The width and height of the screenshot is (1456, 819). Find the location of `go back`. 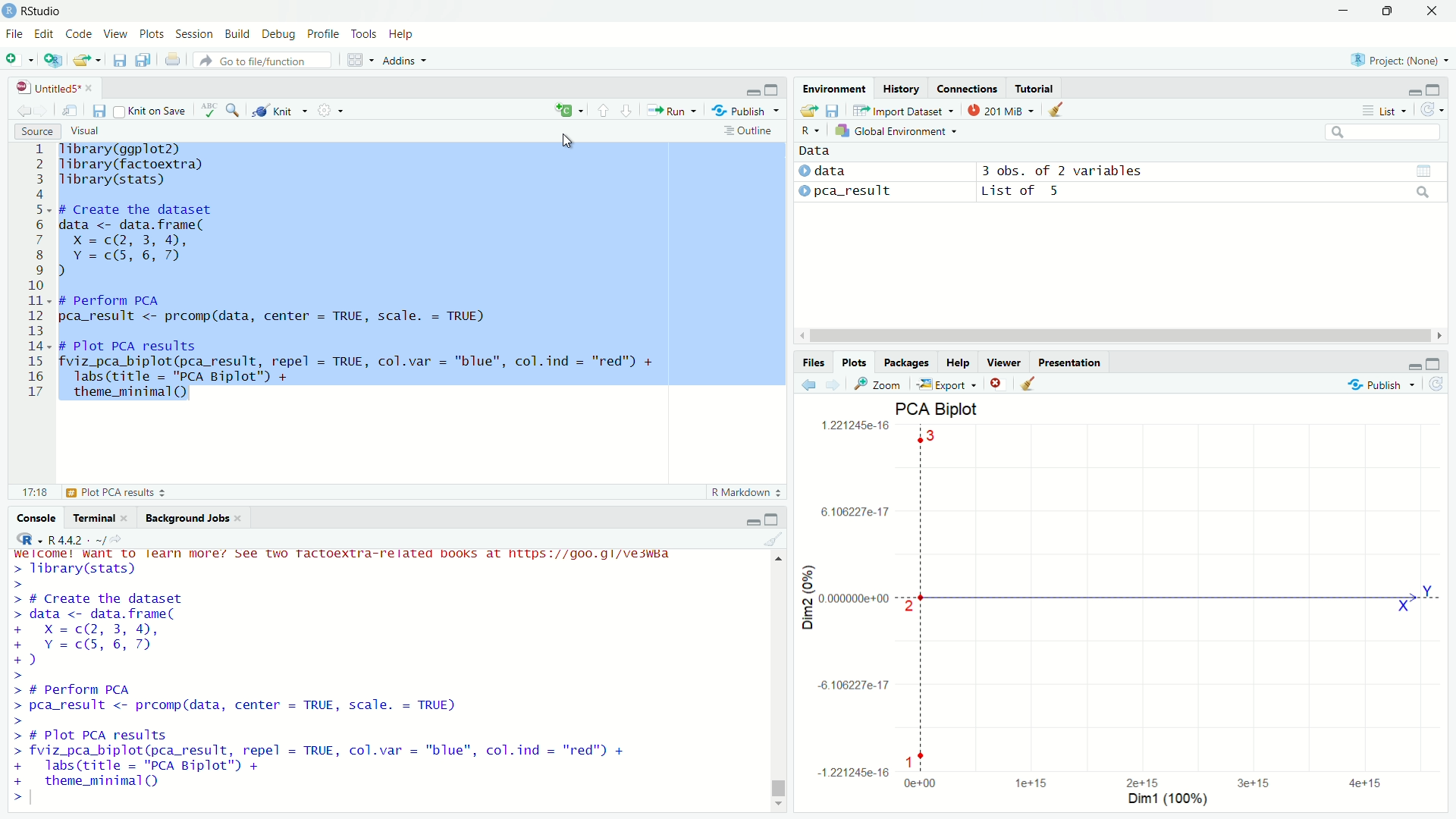

go back is located at coordinates (811, 384).